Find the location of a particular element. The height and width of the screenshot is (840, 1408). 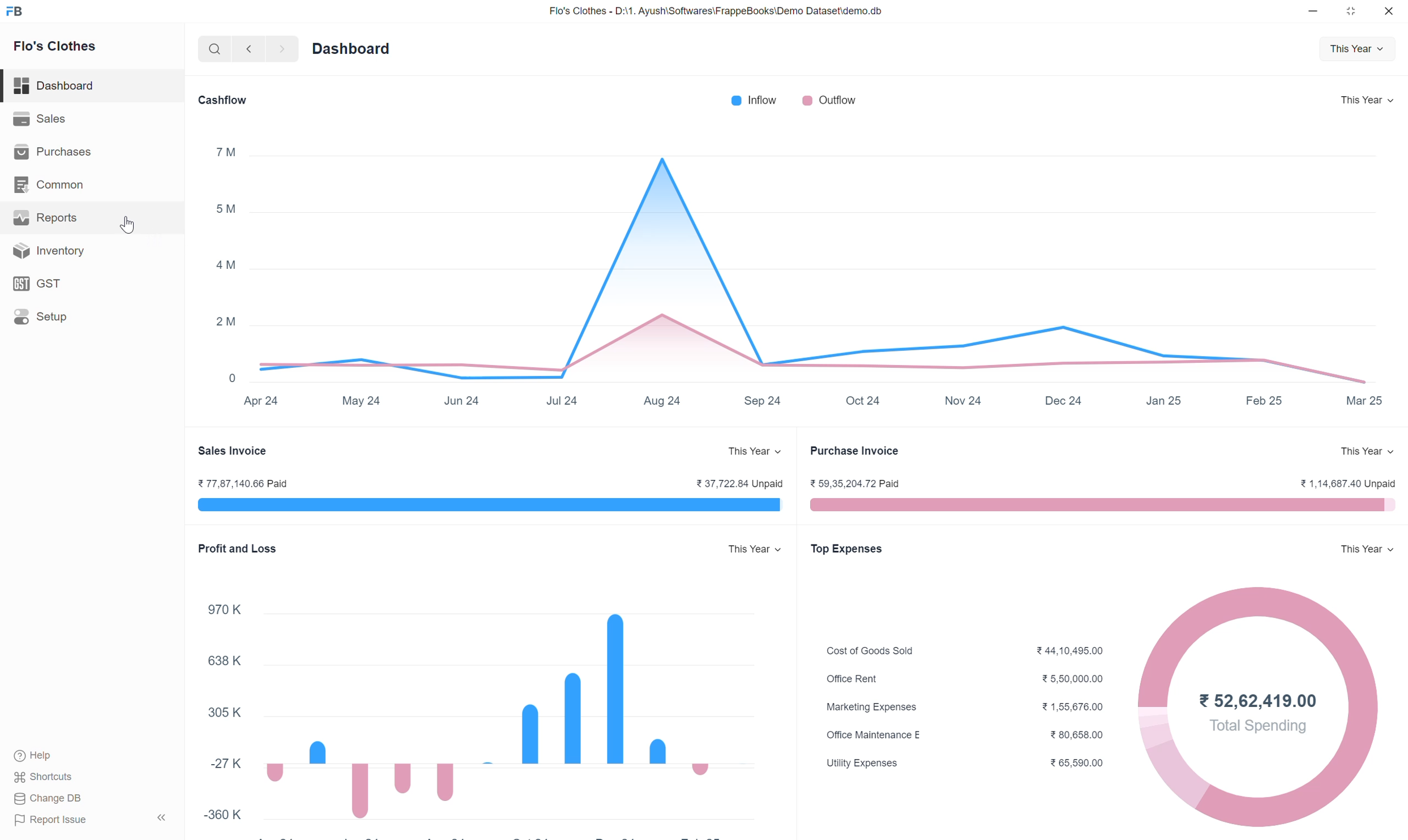

2M is located at coordinates (228, 322).